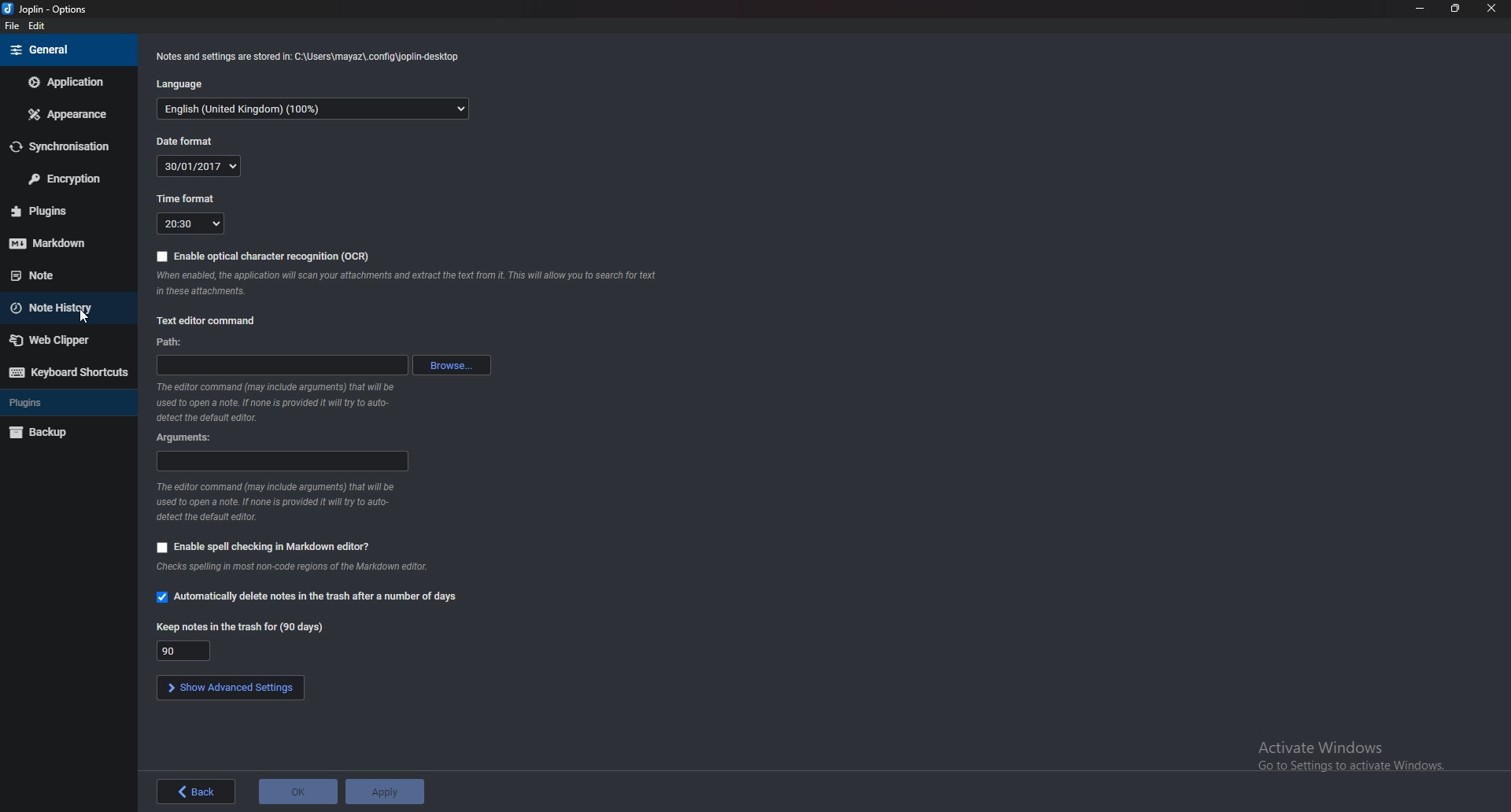 The image size is (1511, 812). What do you see at coordinates (1454, 9) in the screenshot?
I see `Resize` at bounding box center [1454, 9].